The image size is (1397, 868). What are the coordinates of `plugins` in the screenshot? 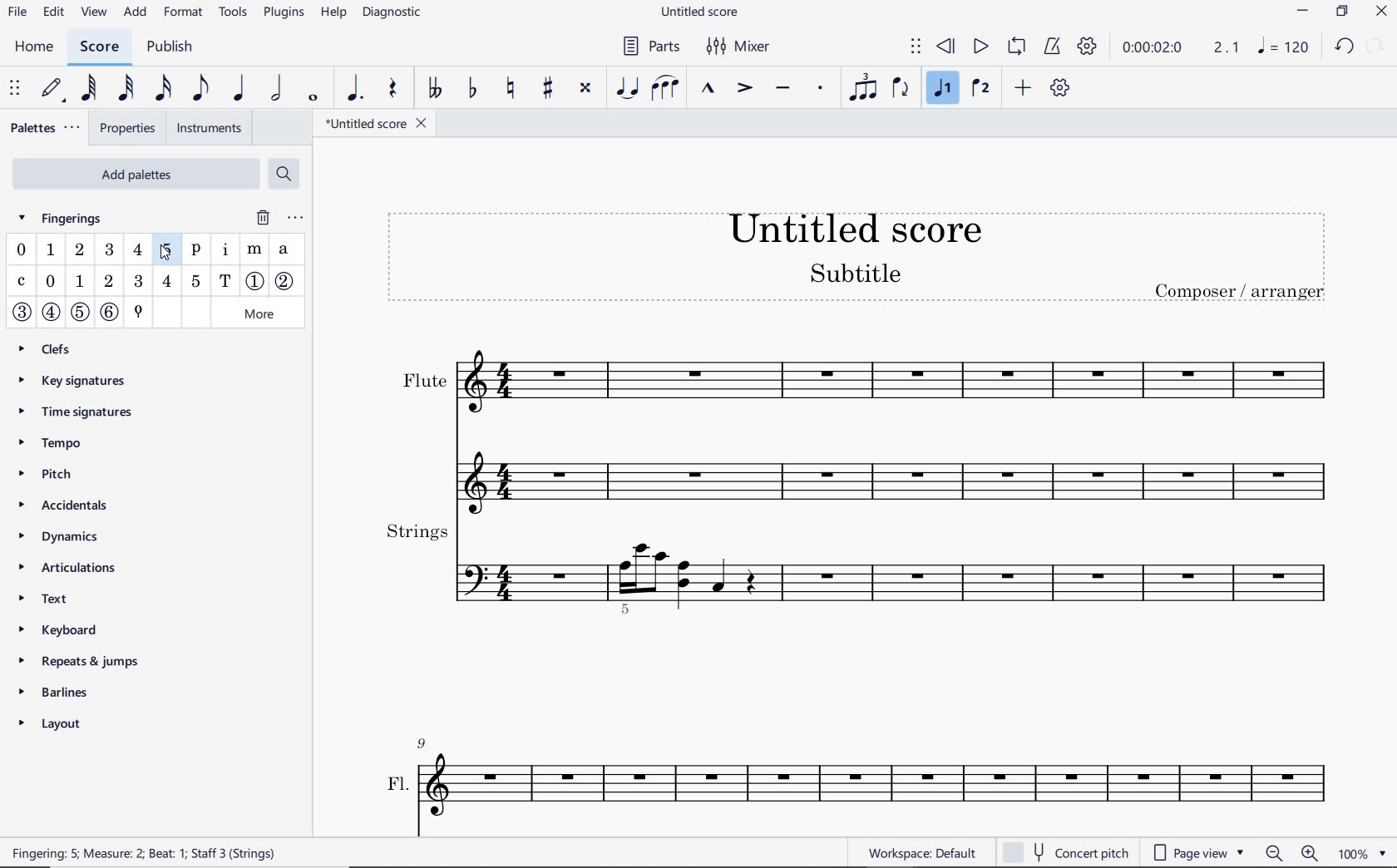 It's located at (284, 15).